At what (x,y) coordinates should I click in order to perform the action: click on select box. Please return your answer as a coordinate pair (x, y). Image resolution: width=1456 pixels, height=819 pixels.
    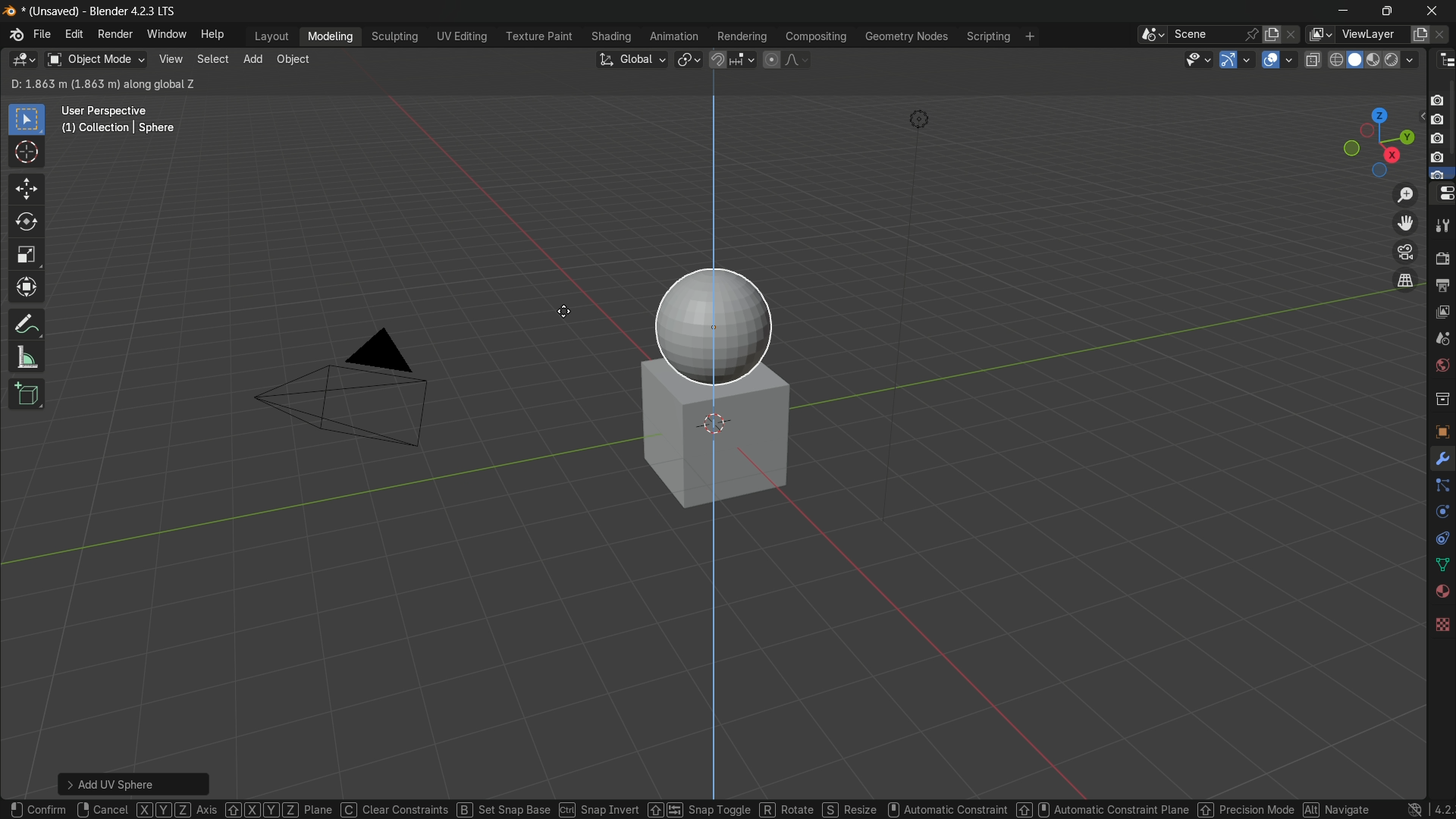
    Looking at the image, I should click on (27, 120).